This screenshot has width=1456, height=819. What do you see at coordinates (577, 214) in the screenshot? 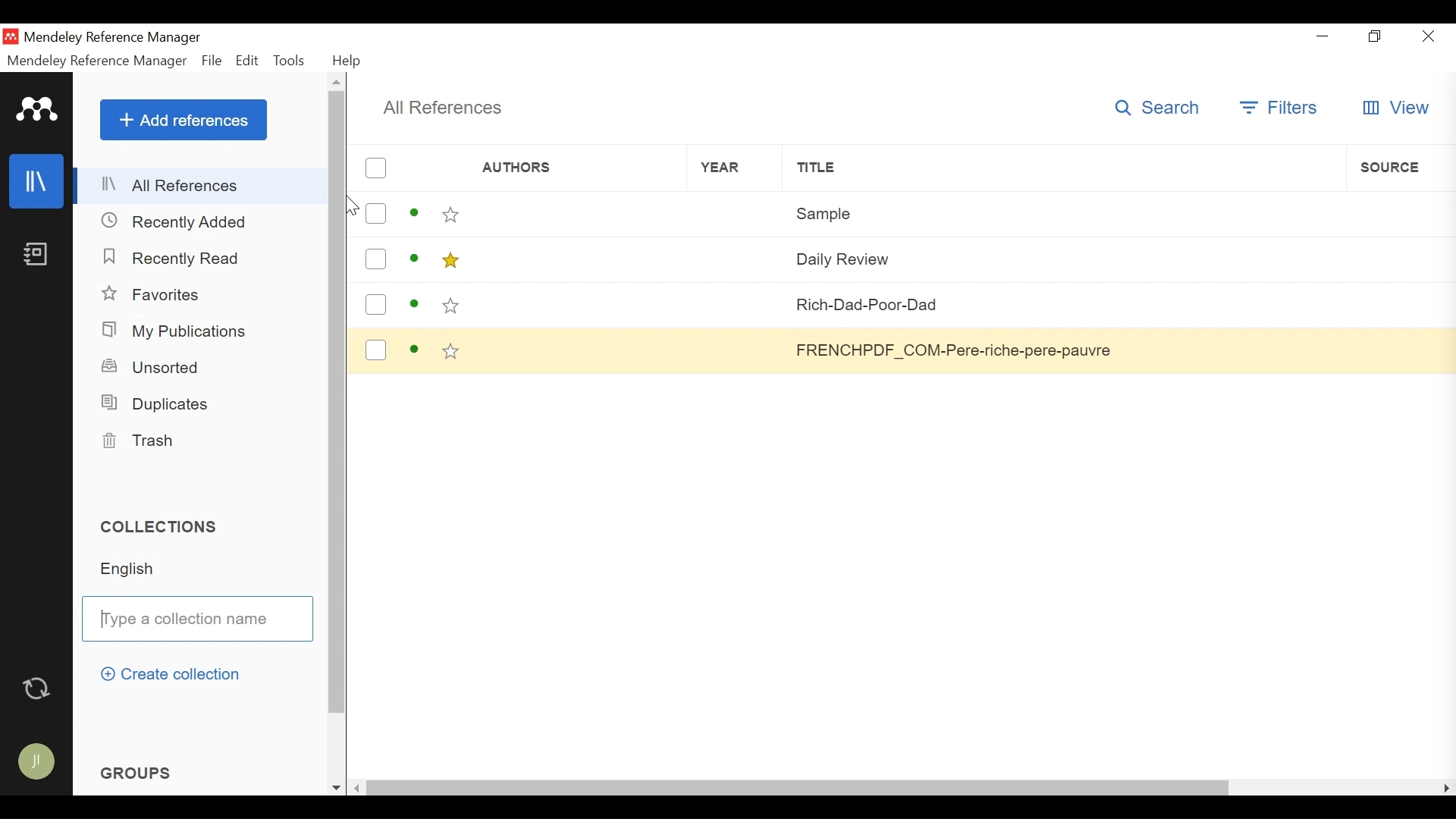
I see `Authors` at bounding box center [577, 214].